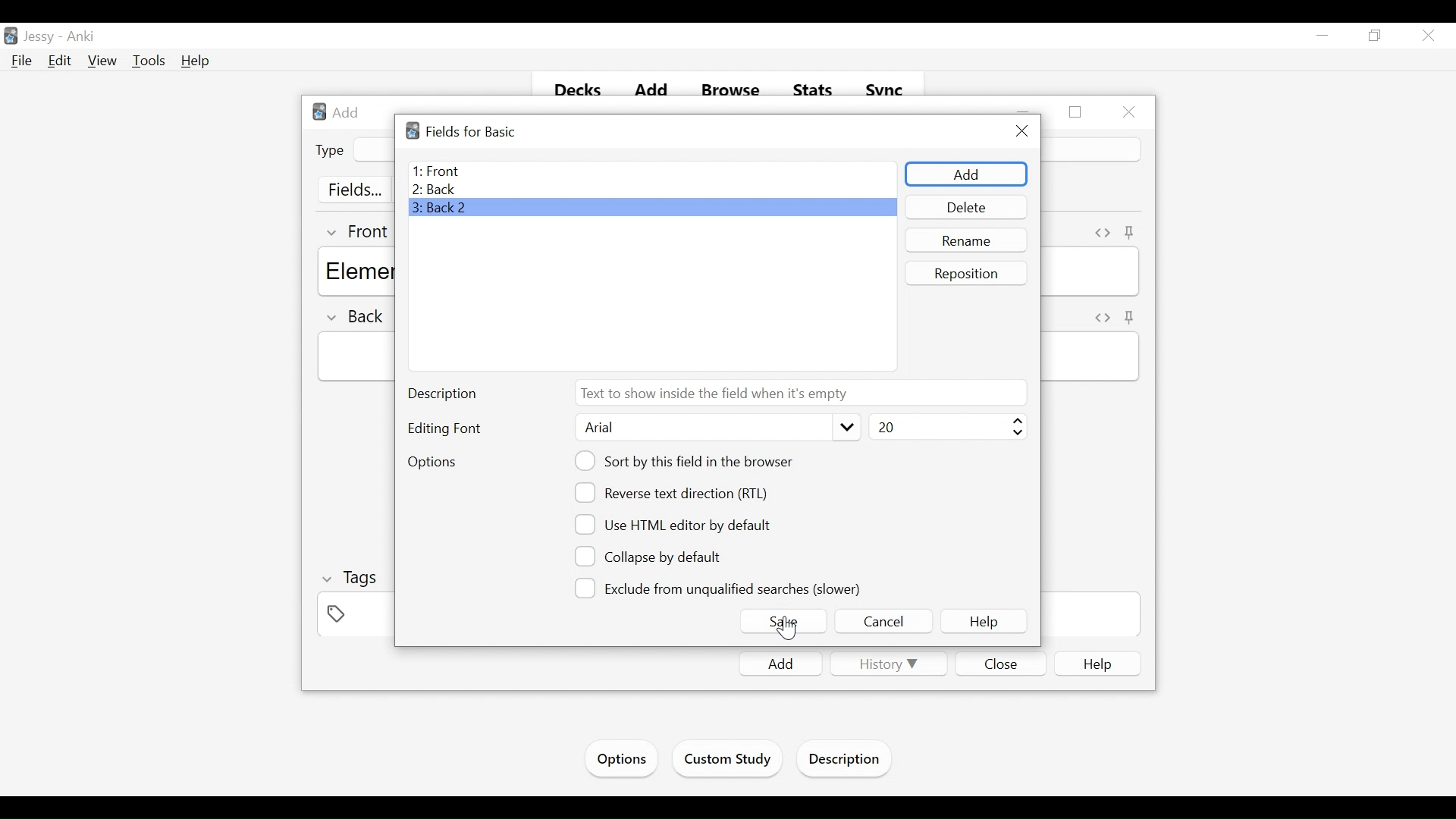 This screenshot has height=819, width=1456. Describe the element at coordinates (947, 427) in the screenshot. I see `Select Font Size` at that location.